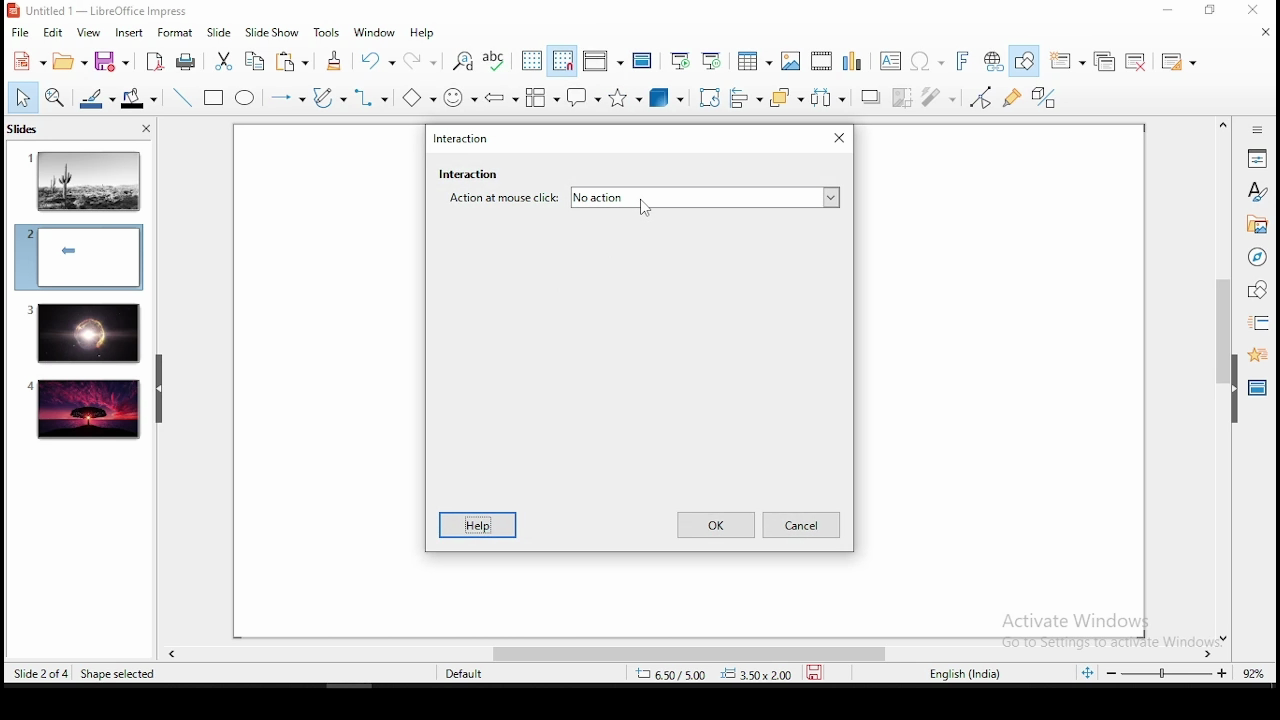 The width and height of the screenshot is (1280, 720). Describe the element at coordinates (110, 61) in the screenshot. I see `save` at that location.